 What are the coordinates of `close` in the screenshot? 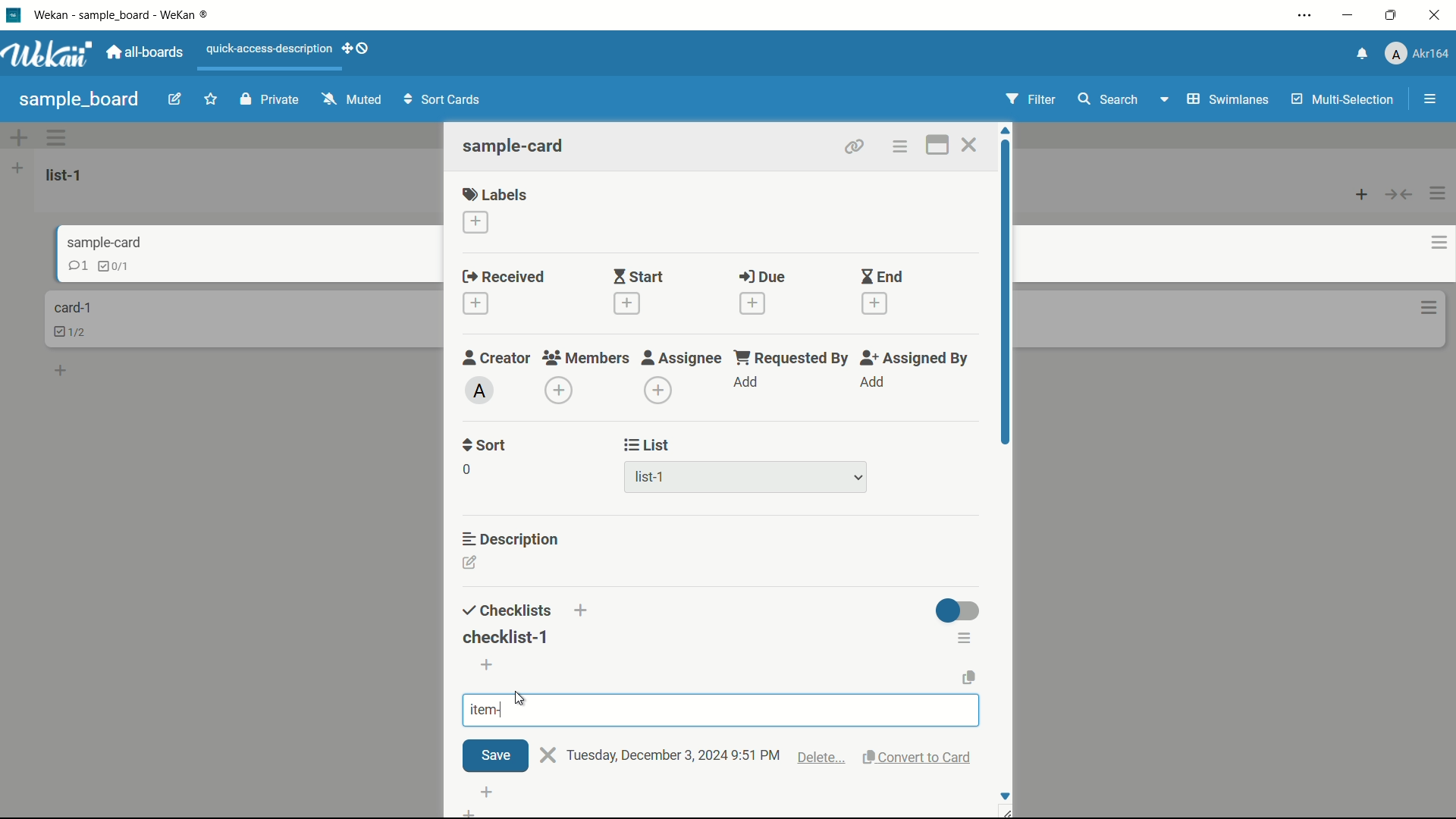 It's located at (548, 755).